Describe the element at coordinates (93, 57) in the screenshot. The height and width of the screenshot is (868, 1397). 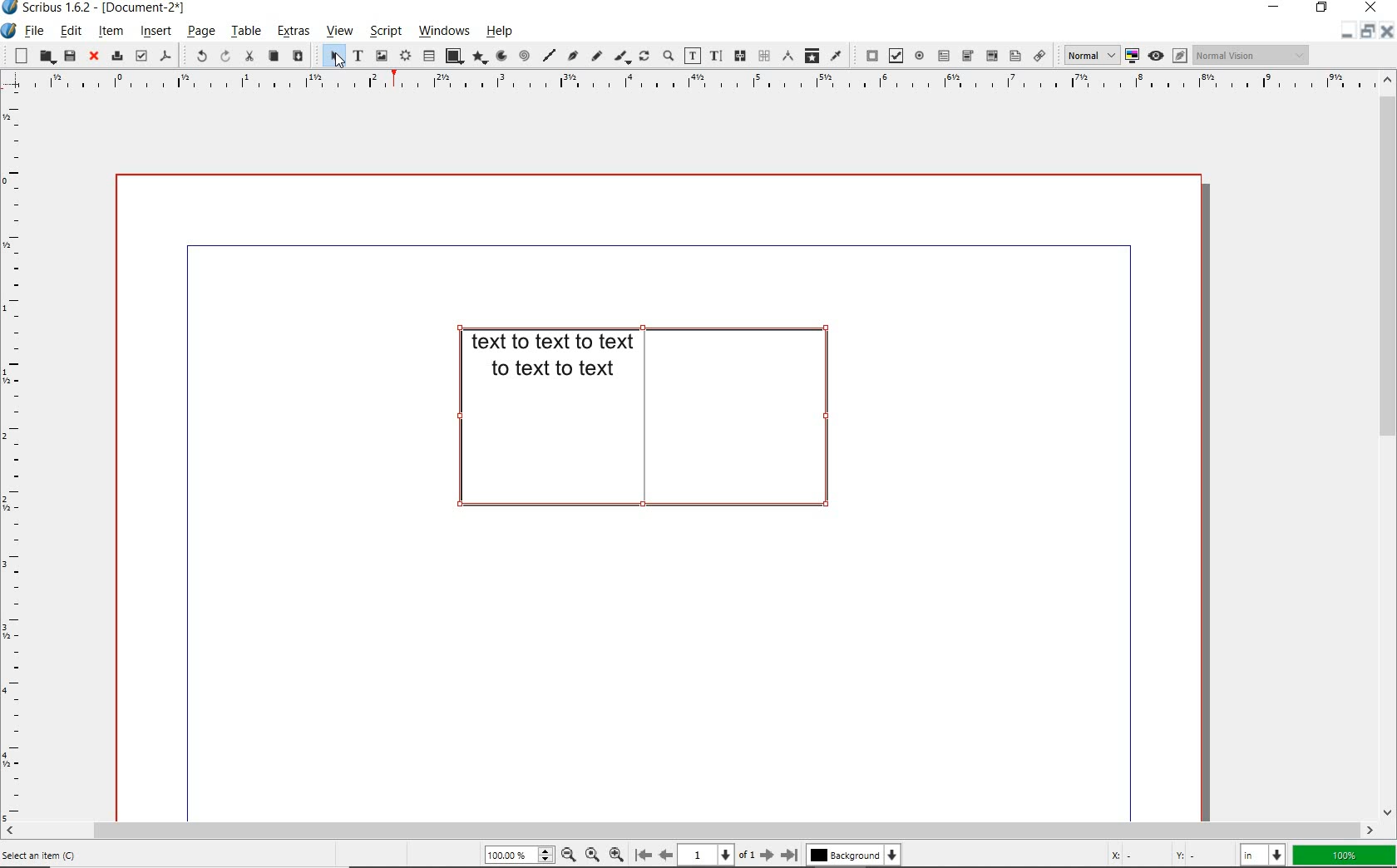
I see `close` at that location.